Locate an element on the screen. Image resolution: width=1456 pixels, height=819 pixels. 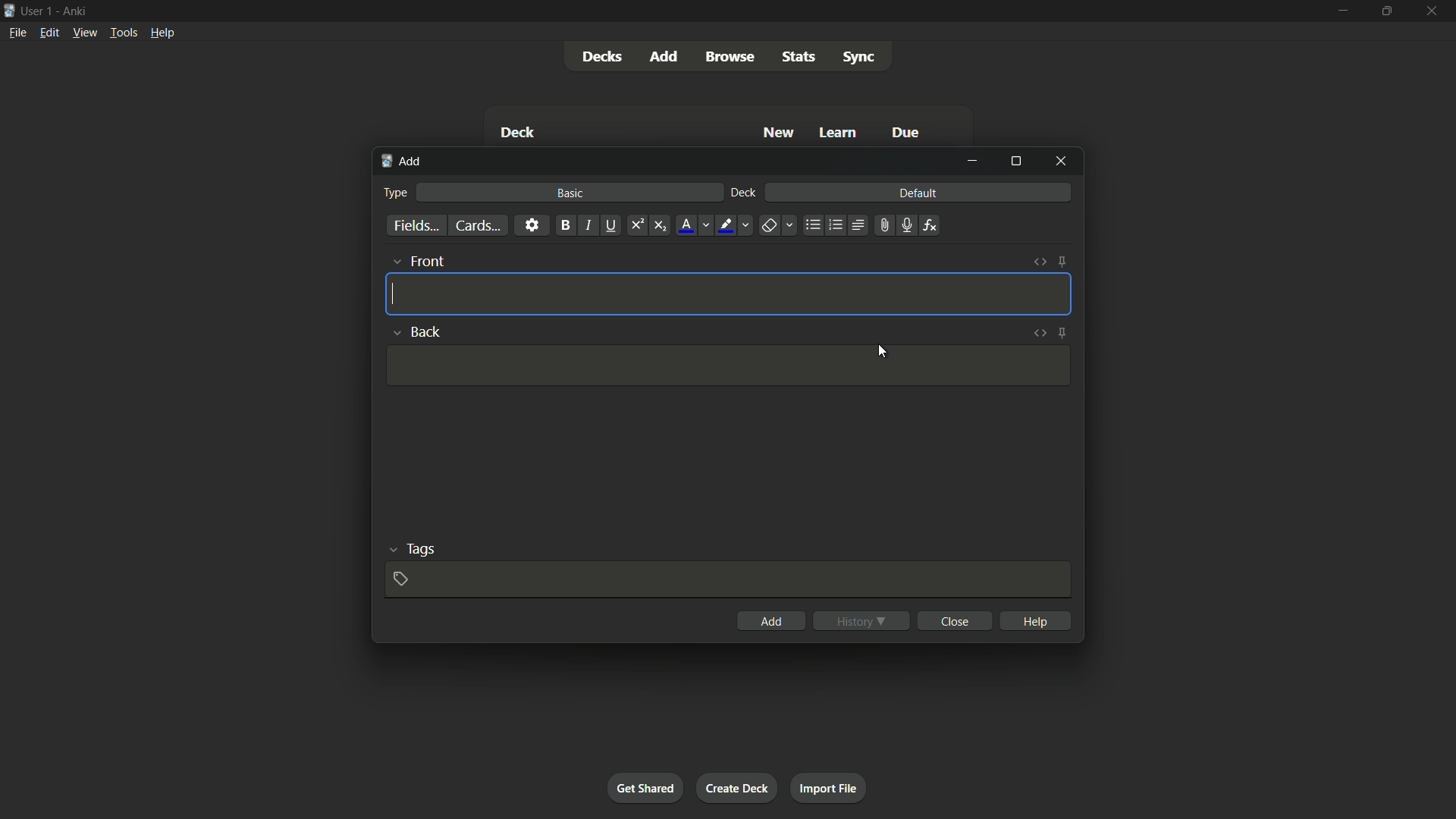
deck is located at coordinates (518, 132).